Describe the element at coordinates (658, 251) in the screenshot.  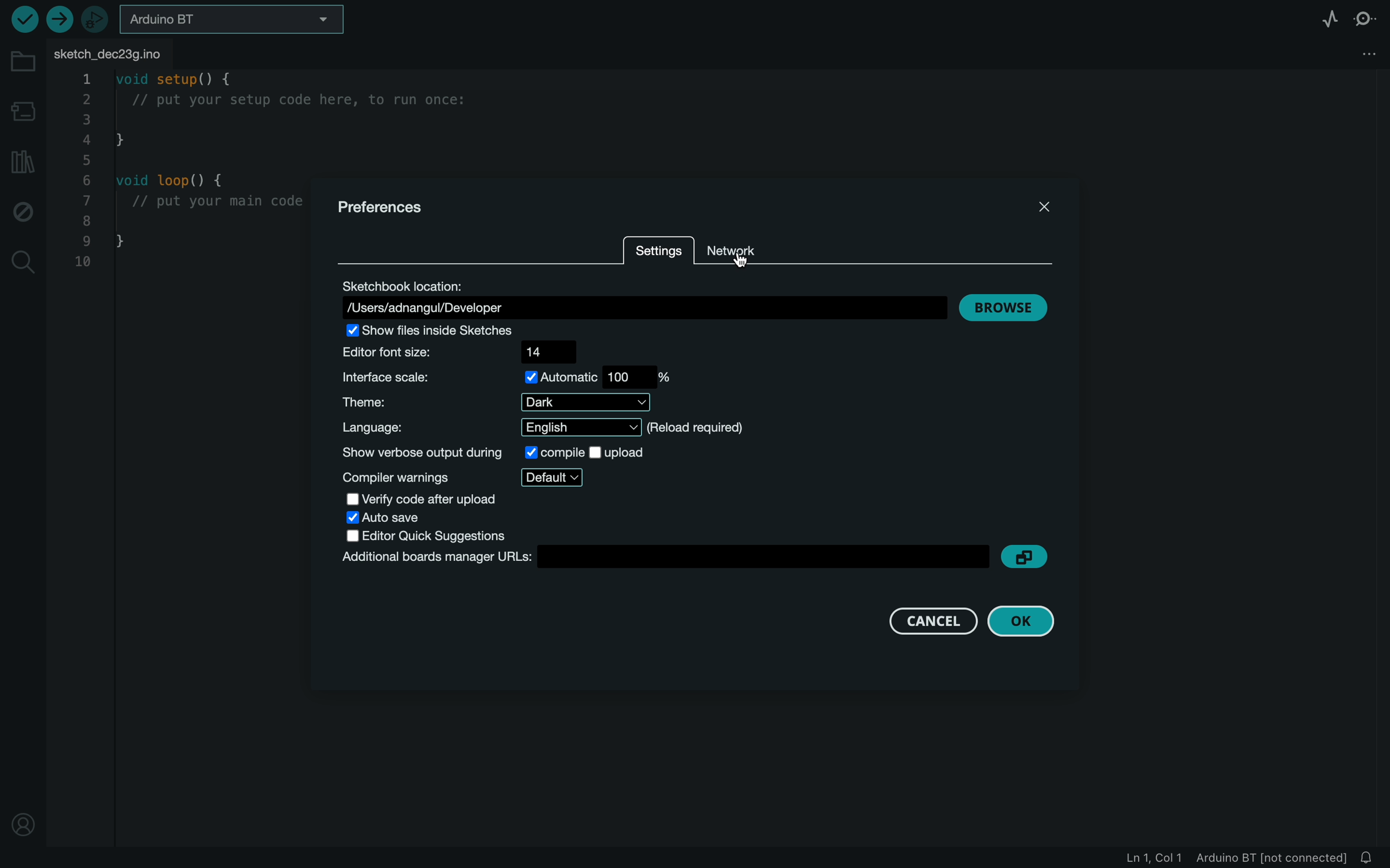
I see `settings` at that location.